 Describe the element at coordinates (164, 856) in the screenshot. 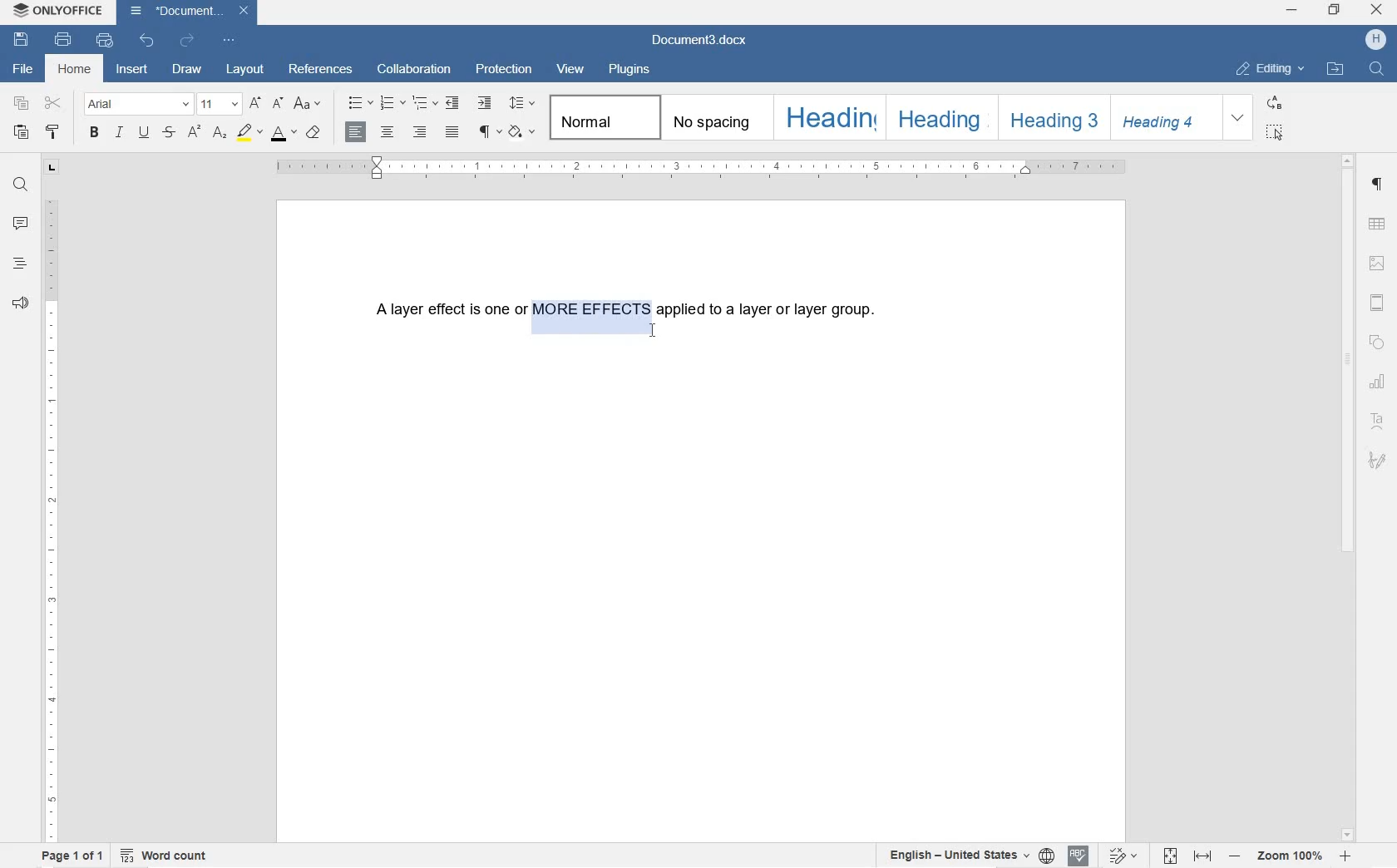

I see `WORD COUNT` at that location.